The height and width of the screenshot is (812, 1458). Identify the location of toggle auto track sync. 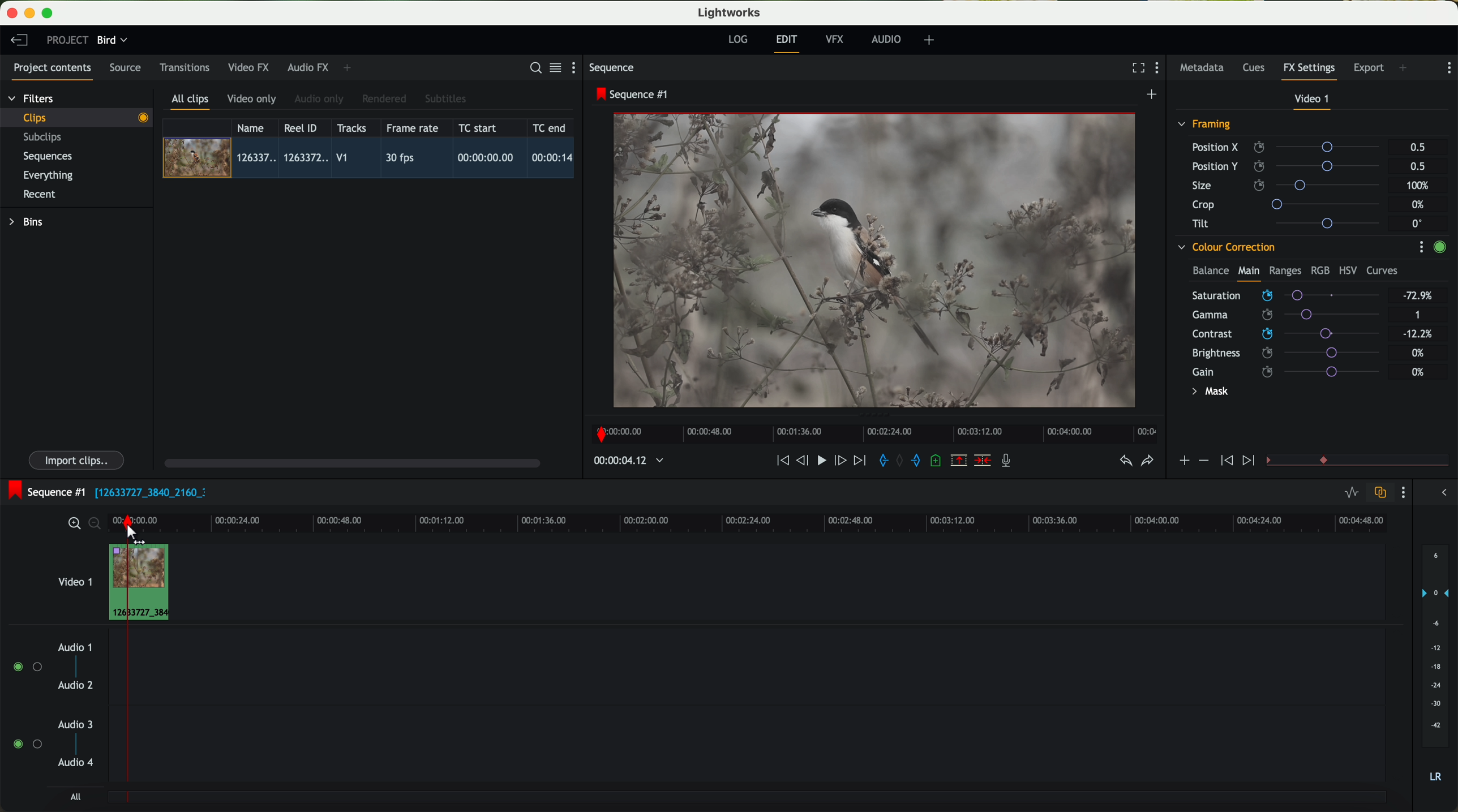
(1378, 493).